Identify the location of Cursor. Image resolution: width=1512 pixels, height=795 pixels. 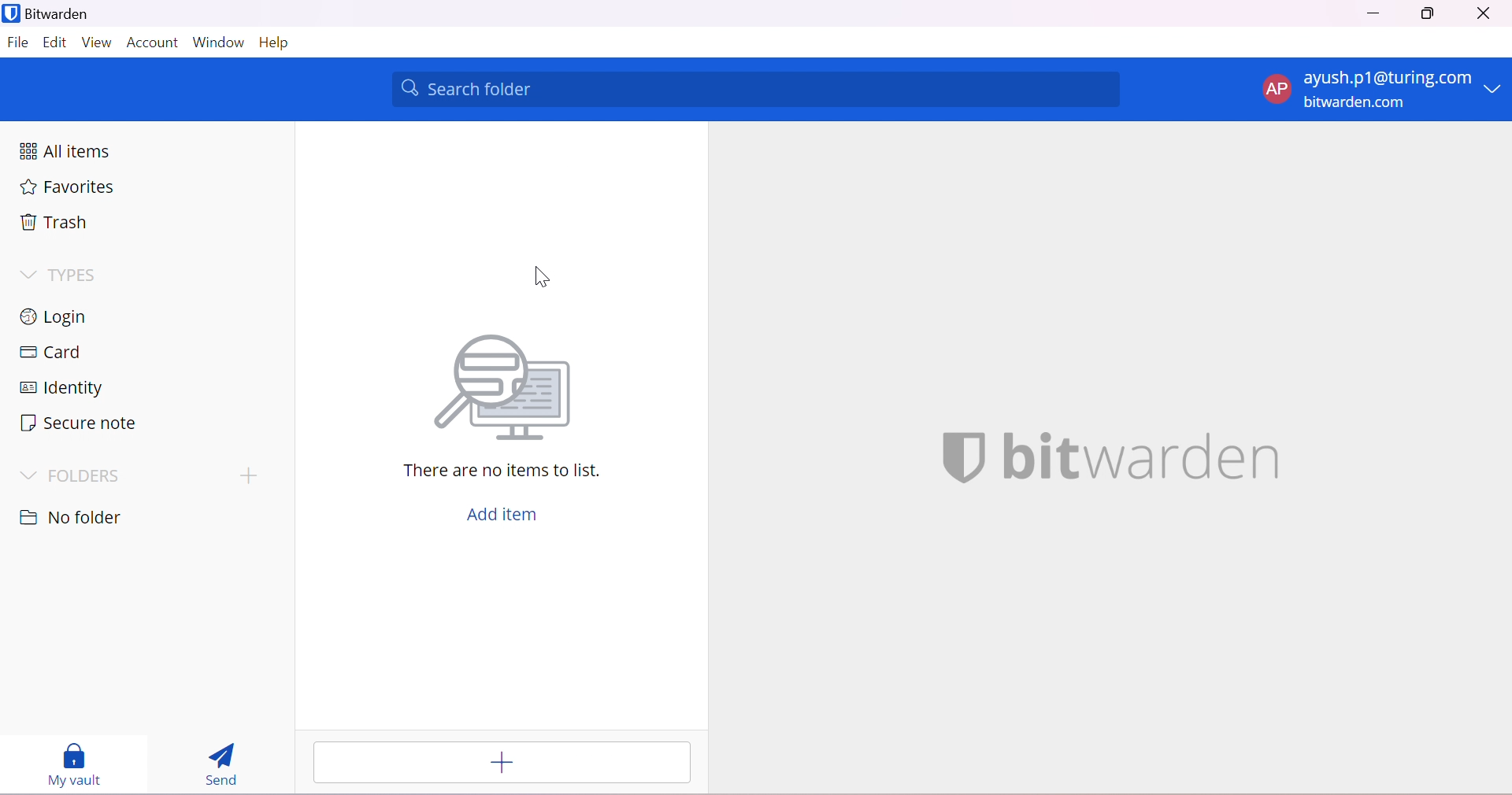
(542, 276).